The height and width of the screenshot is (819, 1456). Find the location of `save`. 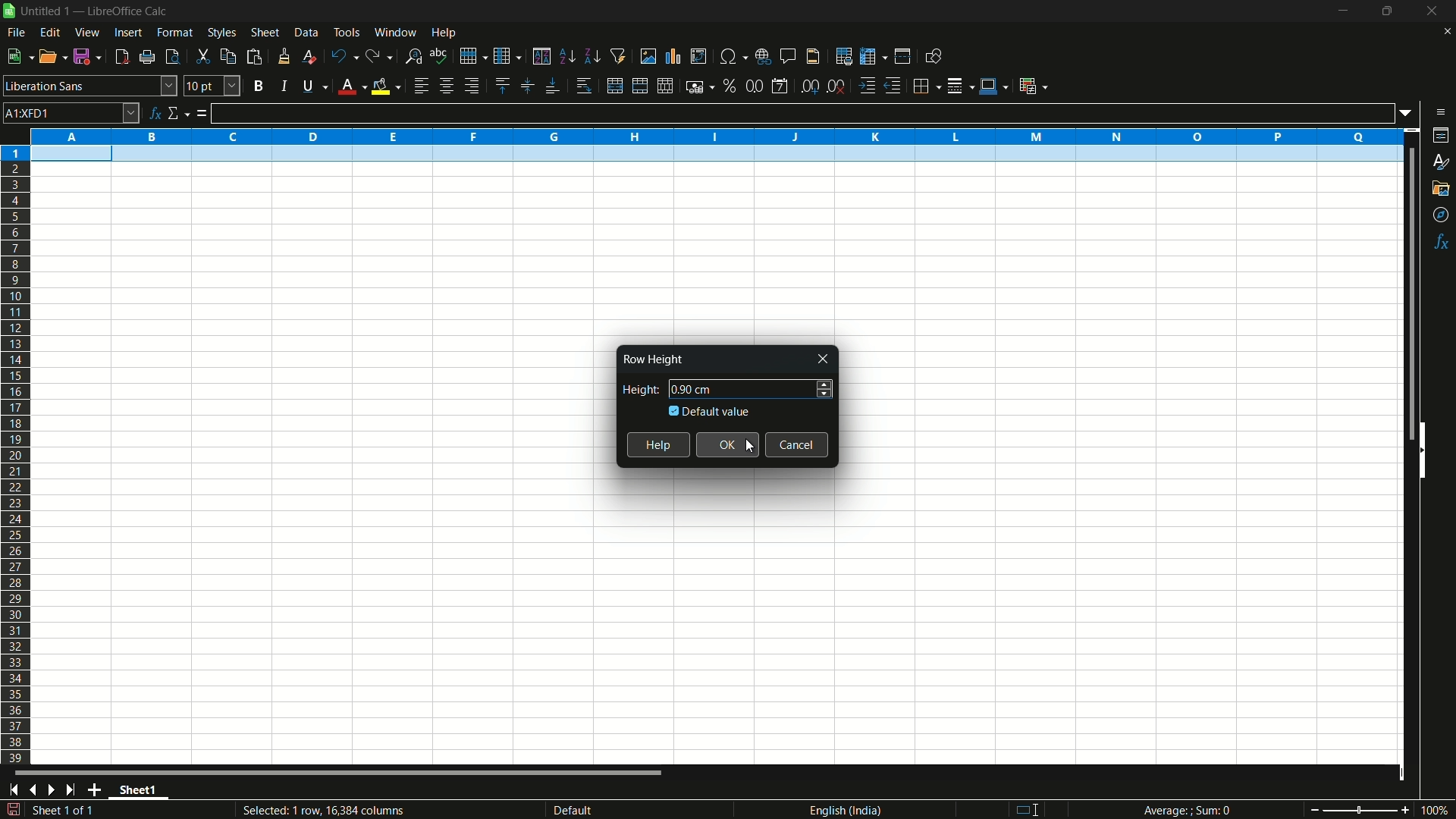

save is located at coordinates (89, 57).